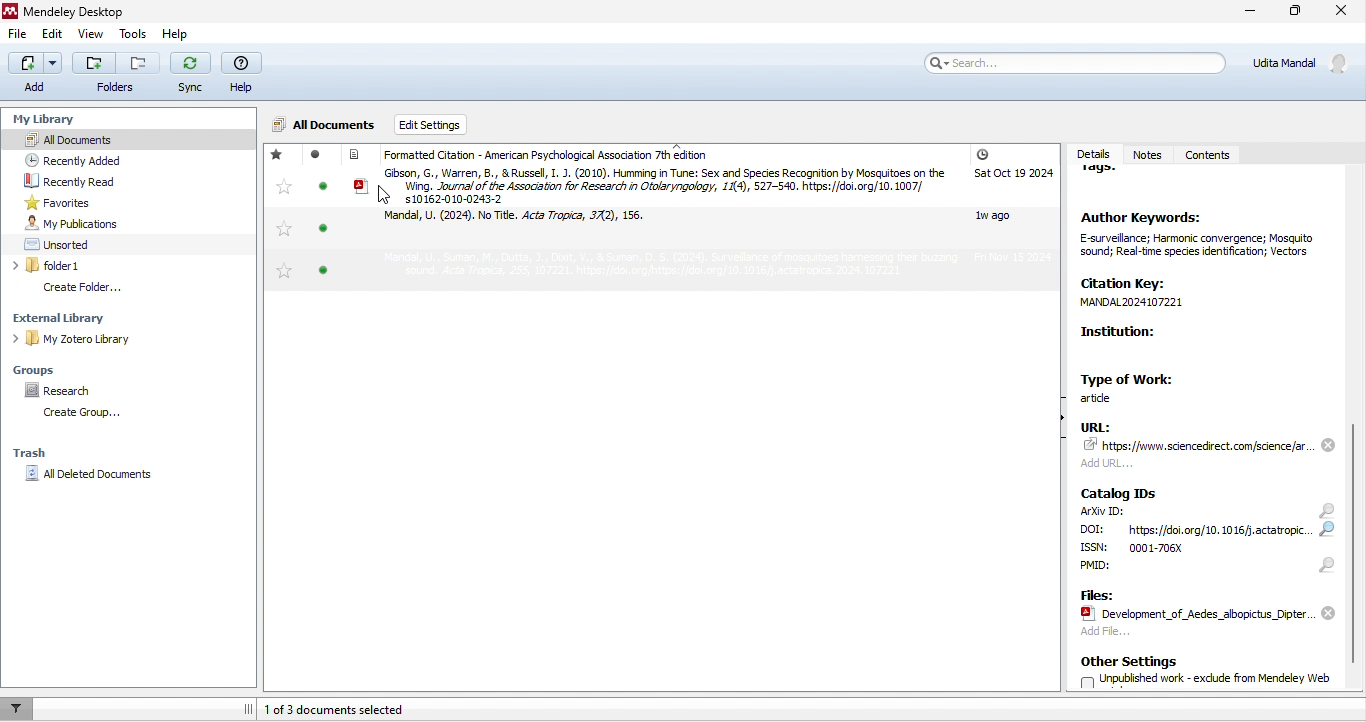 Image resolution: width=1366 pixels, height=722 pixels. Describe the element at coordinates (1198, 530) in the screenshot. I see `DOI` at that location.